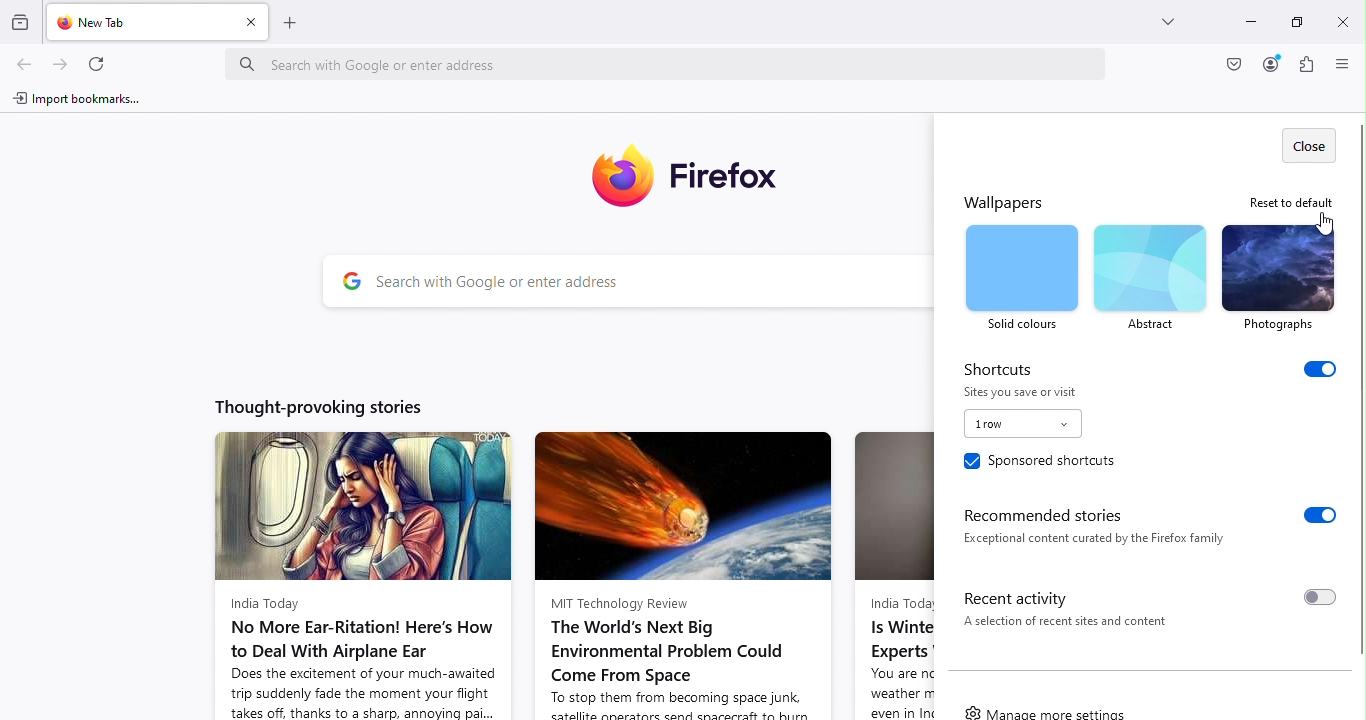 This screenshot has height=720, width=1366. Describe the element at coordinates (624, 282) in the screenshot. I see `Search bar` at that location.